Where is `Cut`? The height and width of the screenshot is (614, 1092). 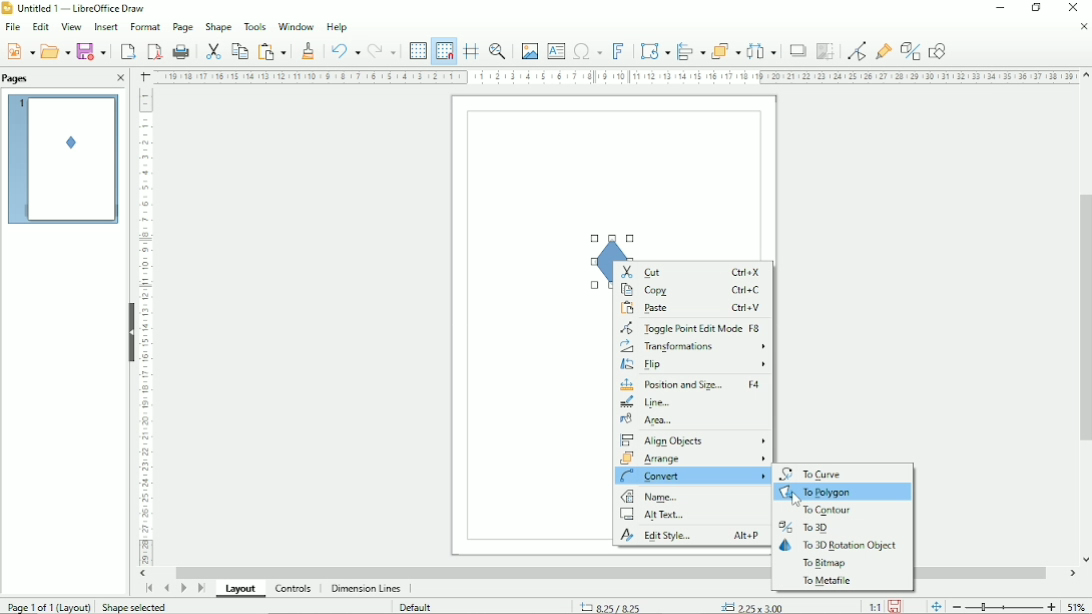
Cut is located at coordinates (691, 272).